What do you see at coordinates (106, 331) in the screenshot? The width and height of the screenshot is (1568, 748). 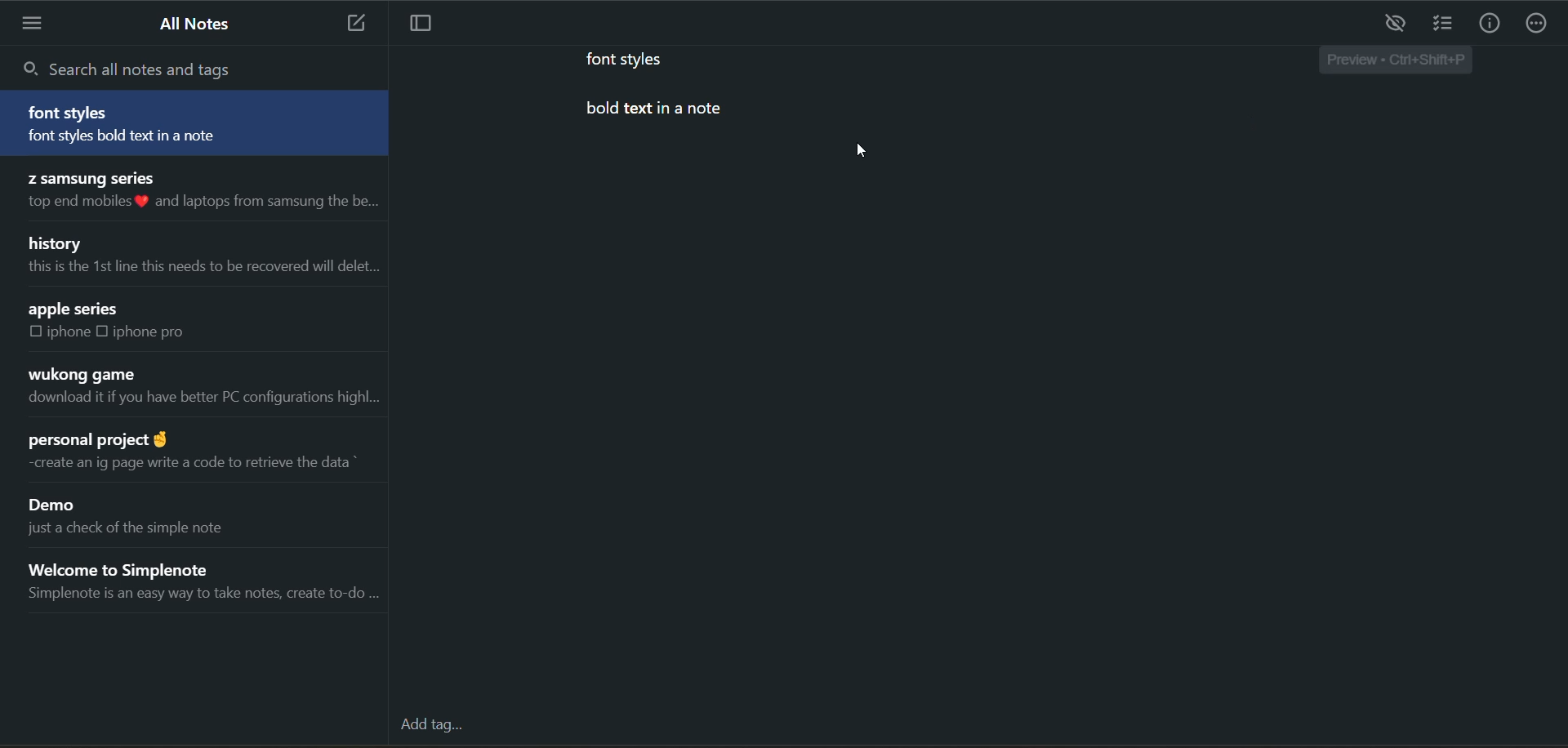 I see `checkbox` at bounding box center [106, 331].